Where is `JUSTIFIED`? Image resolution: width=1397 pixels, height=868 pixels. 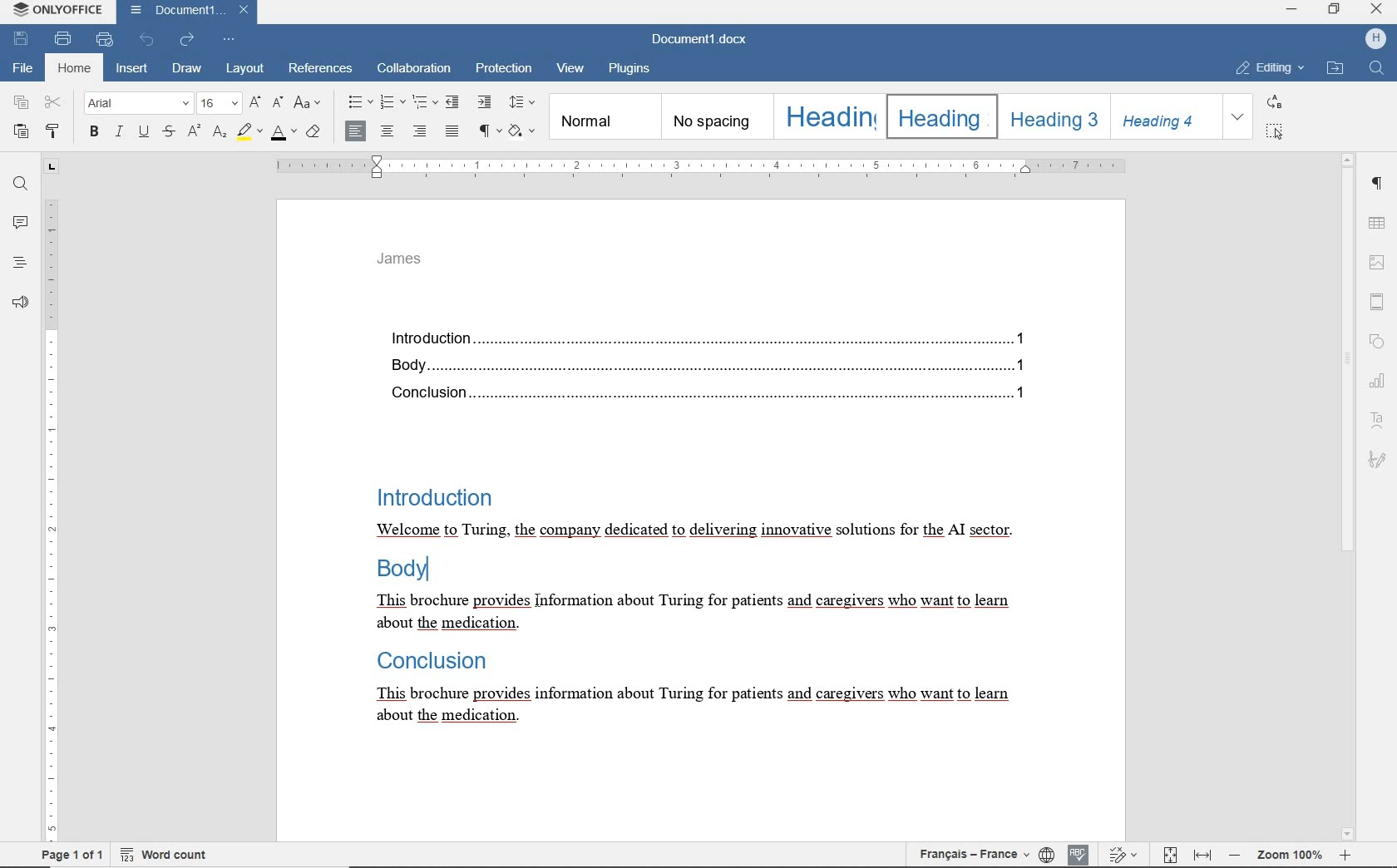 JUSTIFIED is located at coordinates (452, 131).